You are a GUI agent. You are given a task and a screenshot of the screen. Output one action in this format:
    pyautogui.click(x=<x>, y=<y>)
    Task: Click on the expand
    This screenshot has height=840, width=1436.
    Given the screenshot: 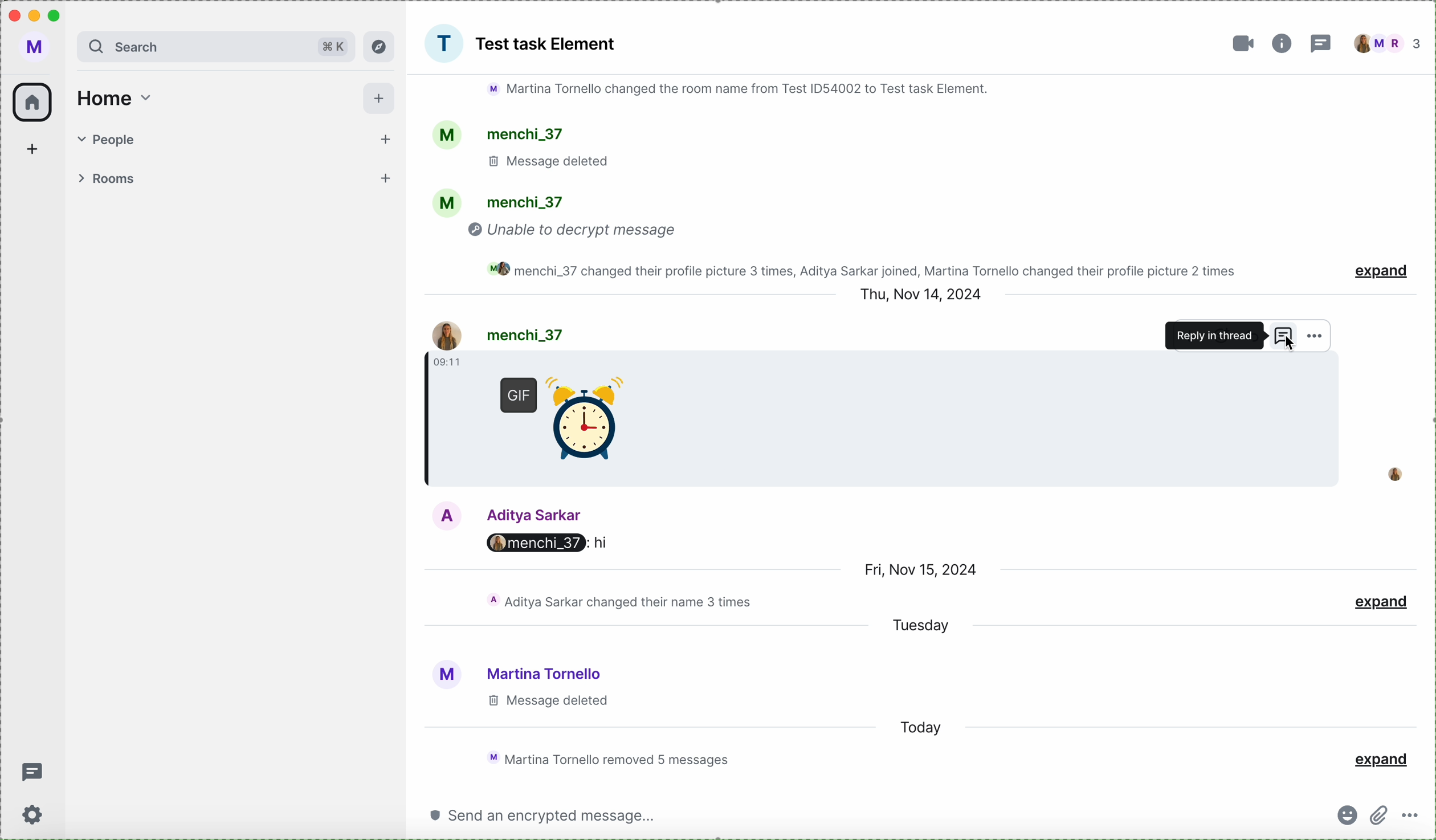 What is the action you would take?
    pyautogui.click(x=1380, y=760)
    